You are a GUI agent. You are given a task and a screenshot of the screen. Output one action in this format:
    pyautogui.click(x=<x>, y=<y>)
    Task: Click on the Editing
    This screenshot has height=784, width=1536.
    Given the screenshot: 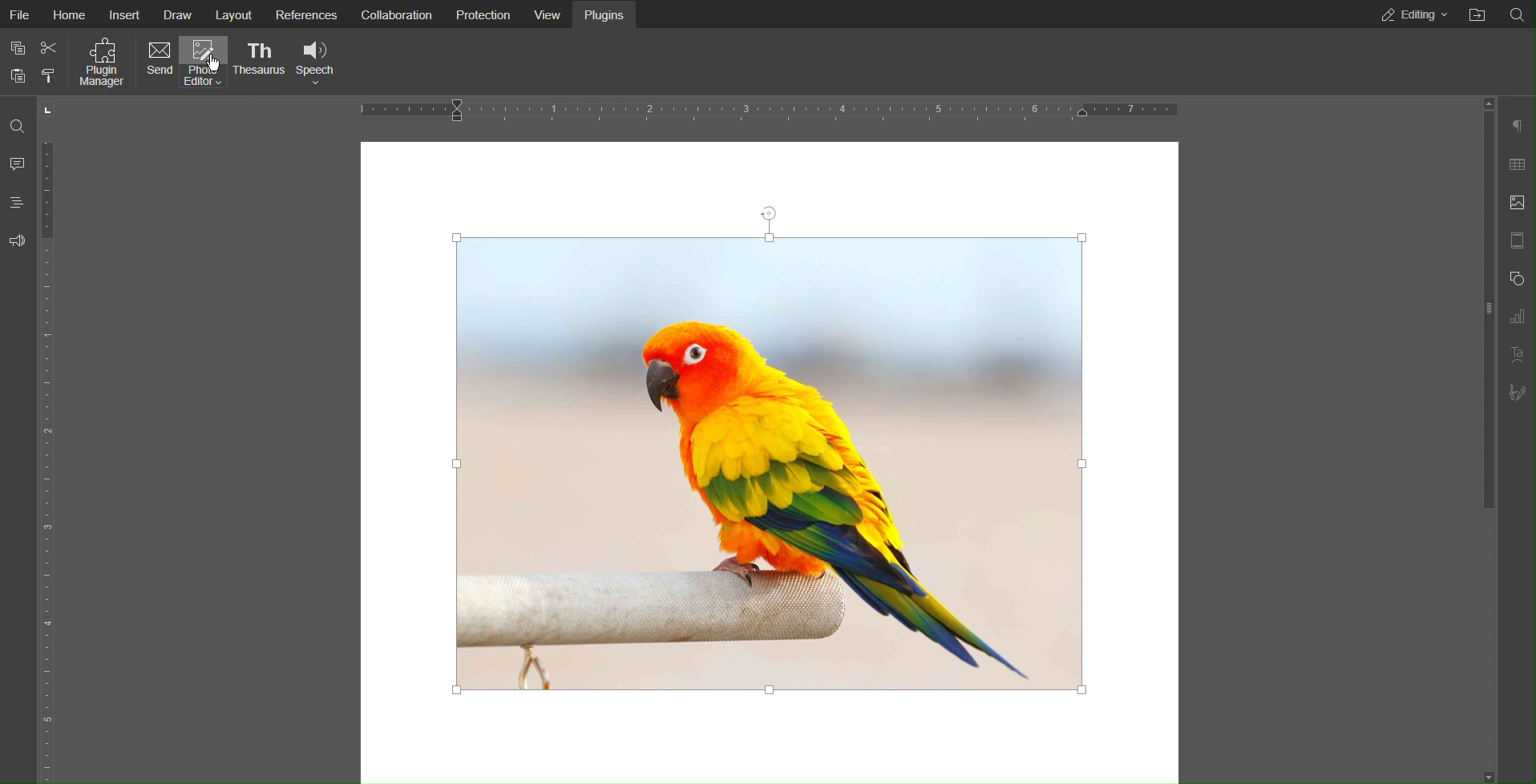 What is the action you would take?
    pyautogui.click(x=1411, y=14)
    